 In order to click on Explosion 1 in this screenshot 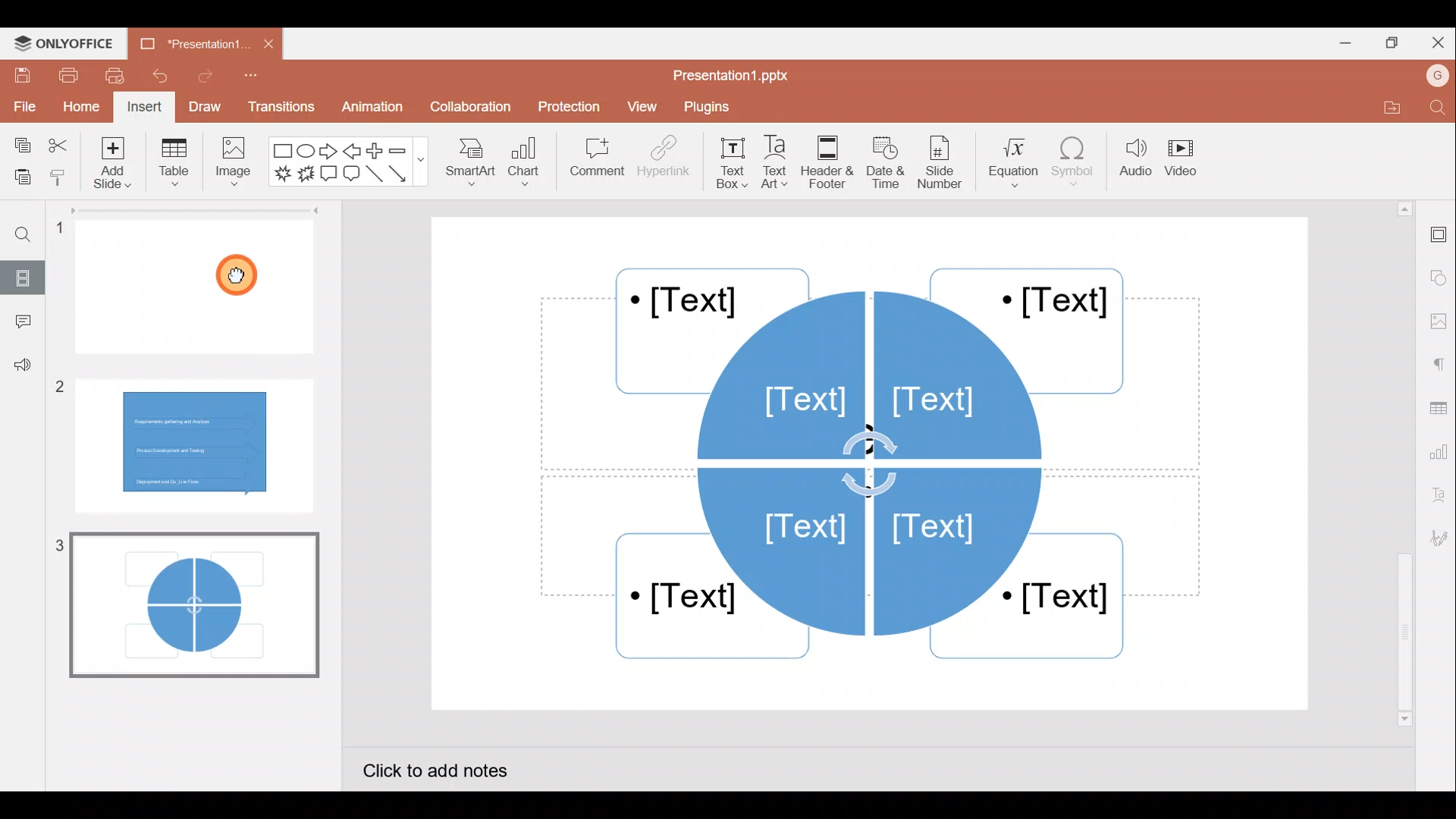, I will do `click(281, 172)`.